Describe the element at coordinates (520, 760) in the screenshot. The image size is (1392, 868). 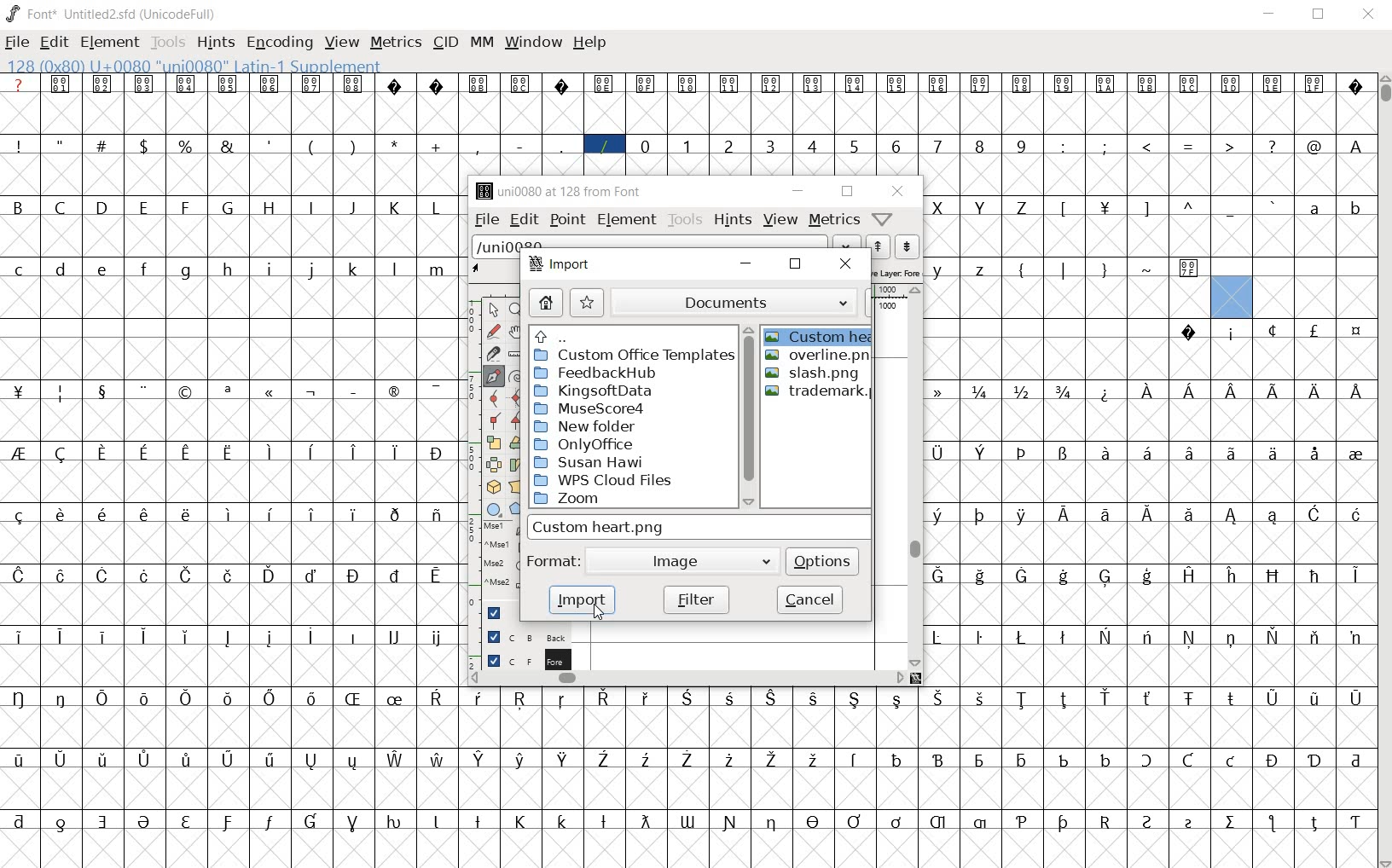
I see `glyph` at that location.